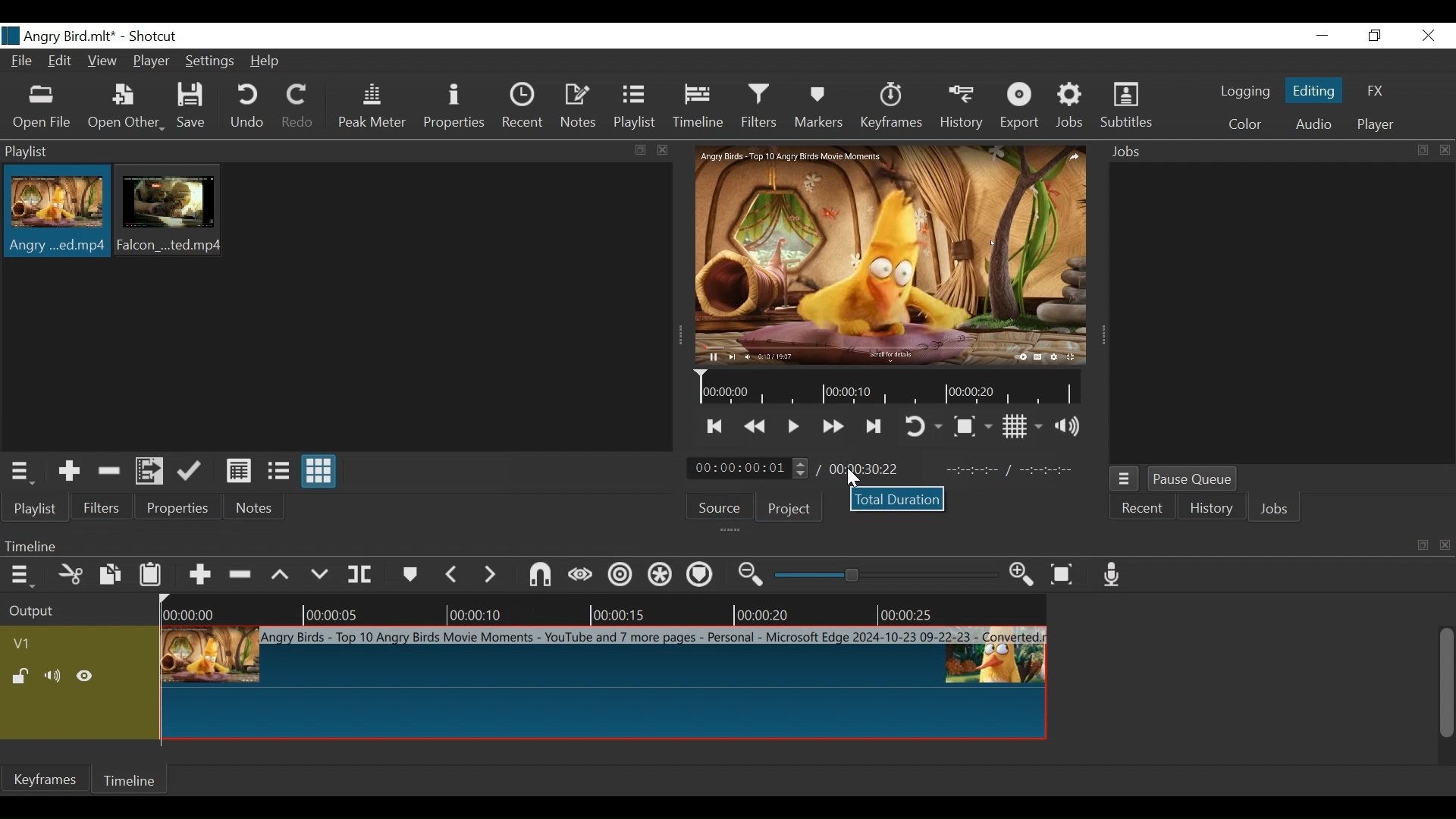 The width and height of the screenshot is (1456, 819). Describe the element at coordinates (852, 481) in the screenshot. I see `Cursor` at that location.